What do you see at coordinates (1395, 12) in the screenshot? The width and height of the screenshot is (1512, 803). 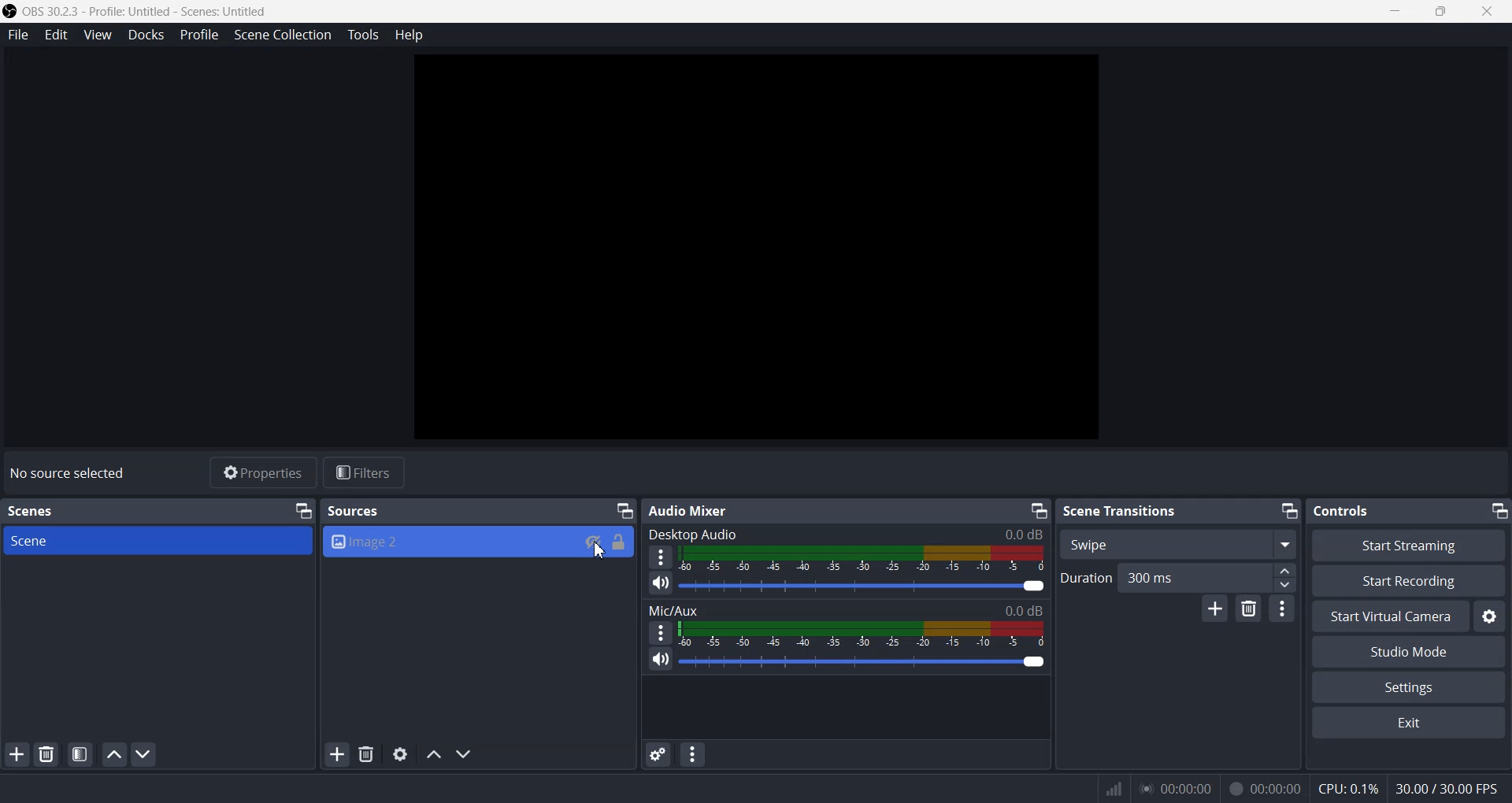 I see `Minimize` at bounding box center [1395, 12].